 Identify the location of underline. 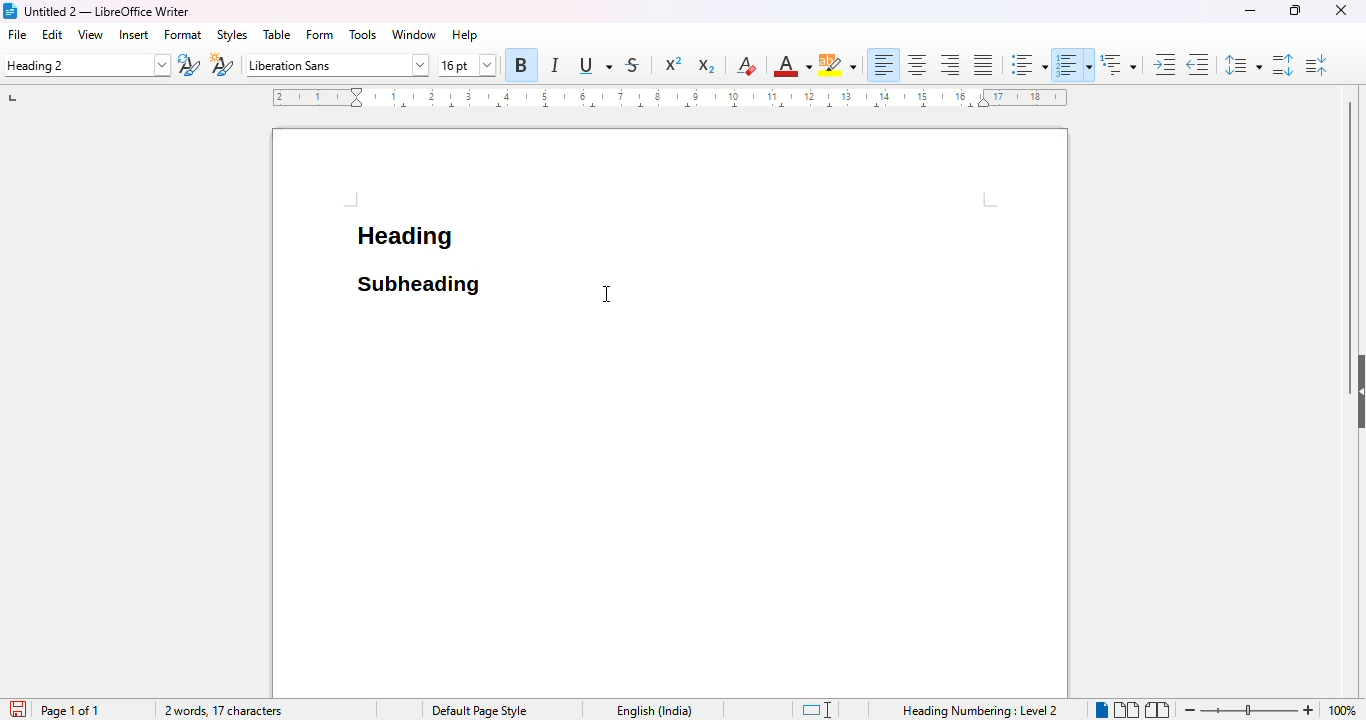
(593, 66).